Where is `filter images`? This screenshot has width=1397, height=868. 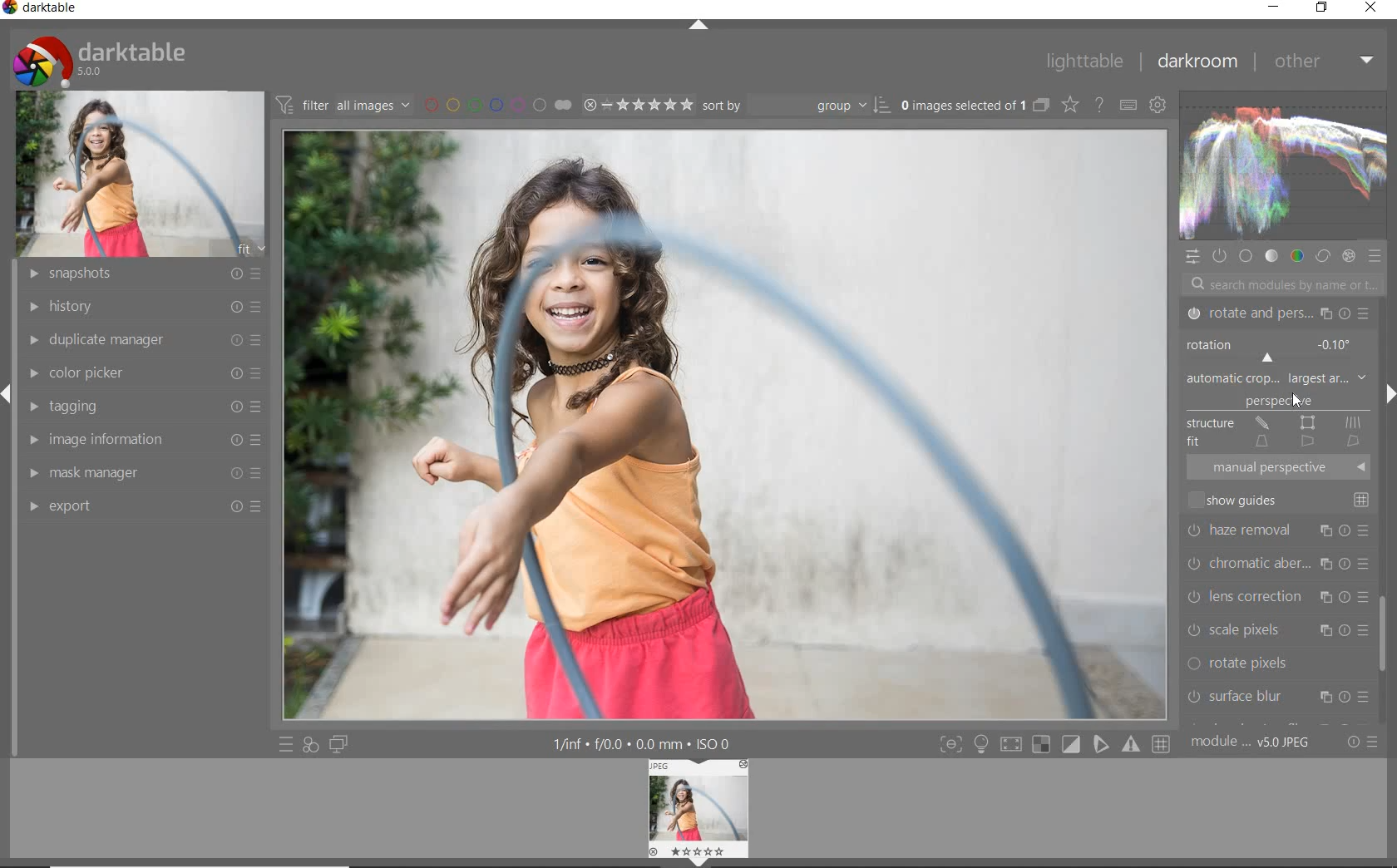 filter images is located at coordinates (343, 104).